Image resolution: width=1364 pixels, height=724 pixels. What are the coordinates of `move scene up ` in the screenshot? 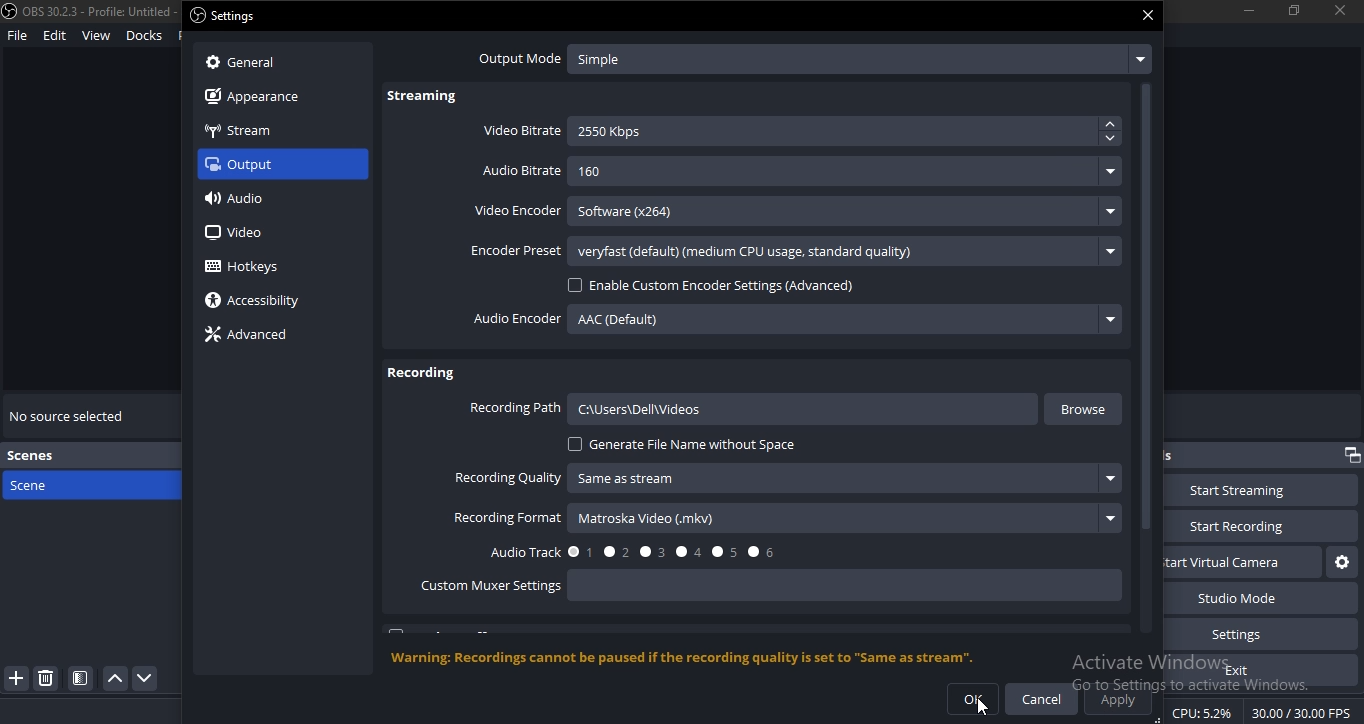 It's located at (116, 679).